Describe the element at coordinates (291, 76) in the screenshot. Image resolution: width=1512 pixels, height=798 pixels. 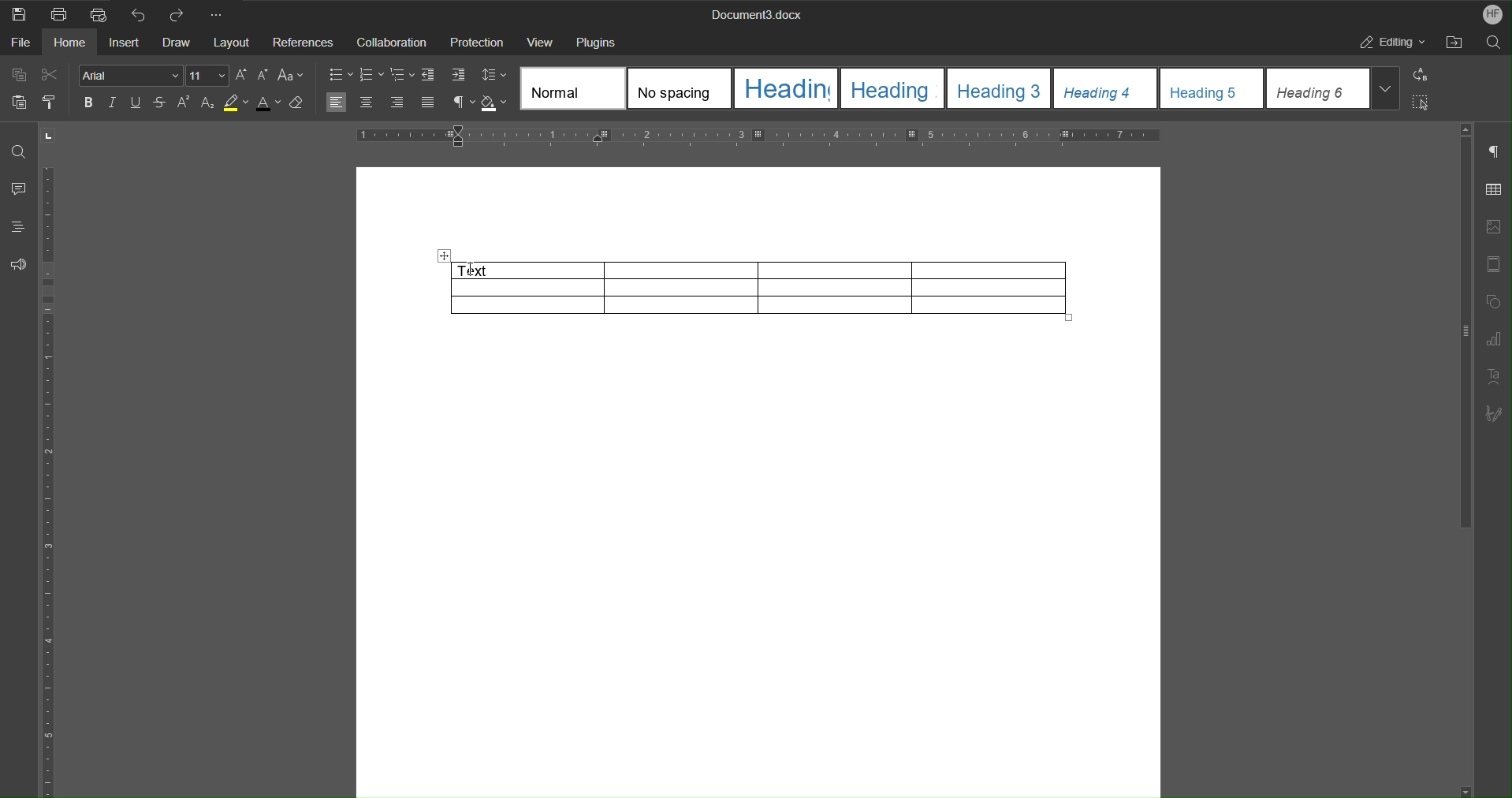
I see `Text Case Settings` at that location.